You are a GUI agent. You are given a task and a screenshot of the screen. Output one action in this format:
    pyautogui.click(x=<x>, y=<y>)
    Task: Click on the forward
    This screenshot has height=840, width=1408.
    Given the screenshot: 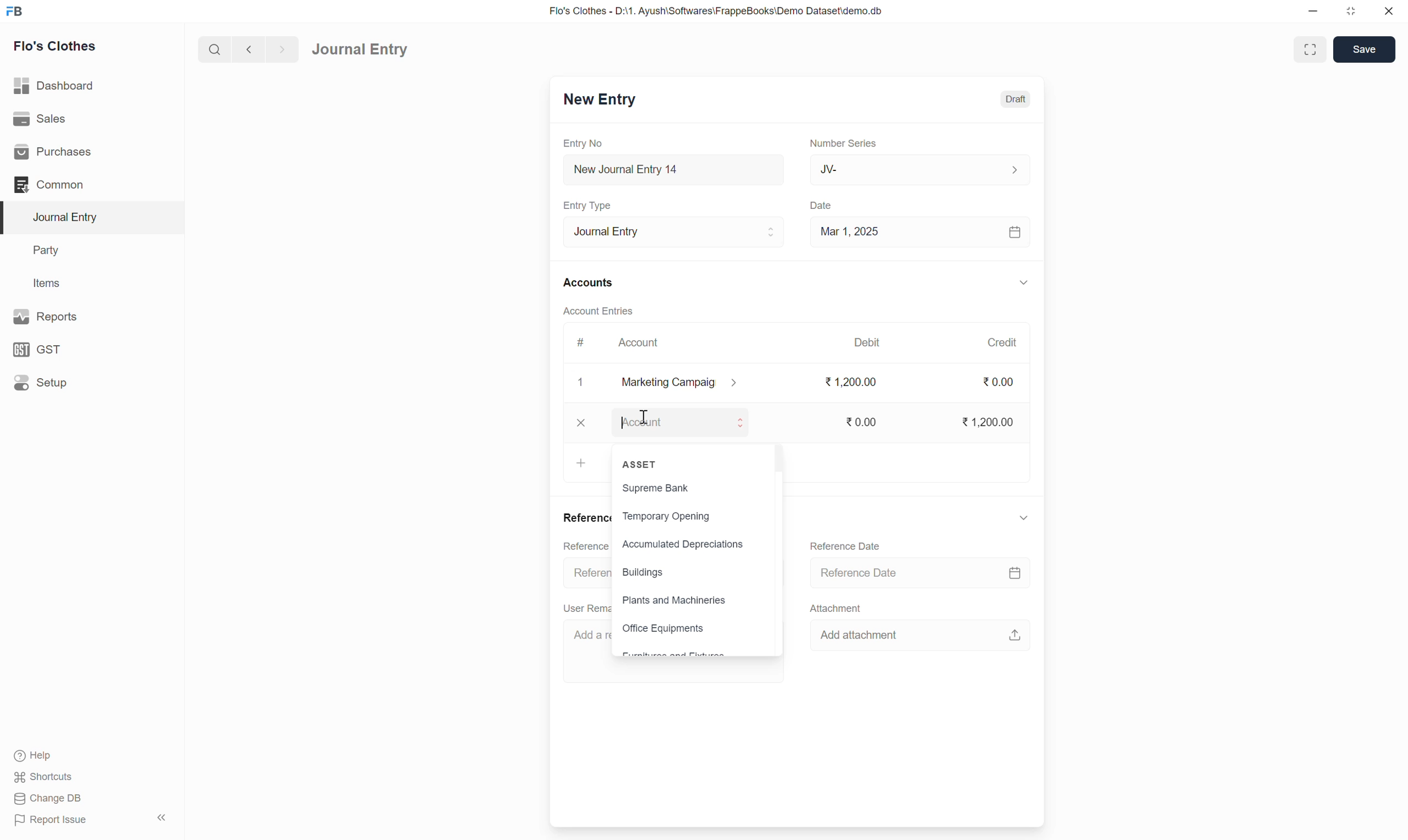 What is the action you would take?
    pyautogui.click(x=280, y=50)
    